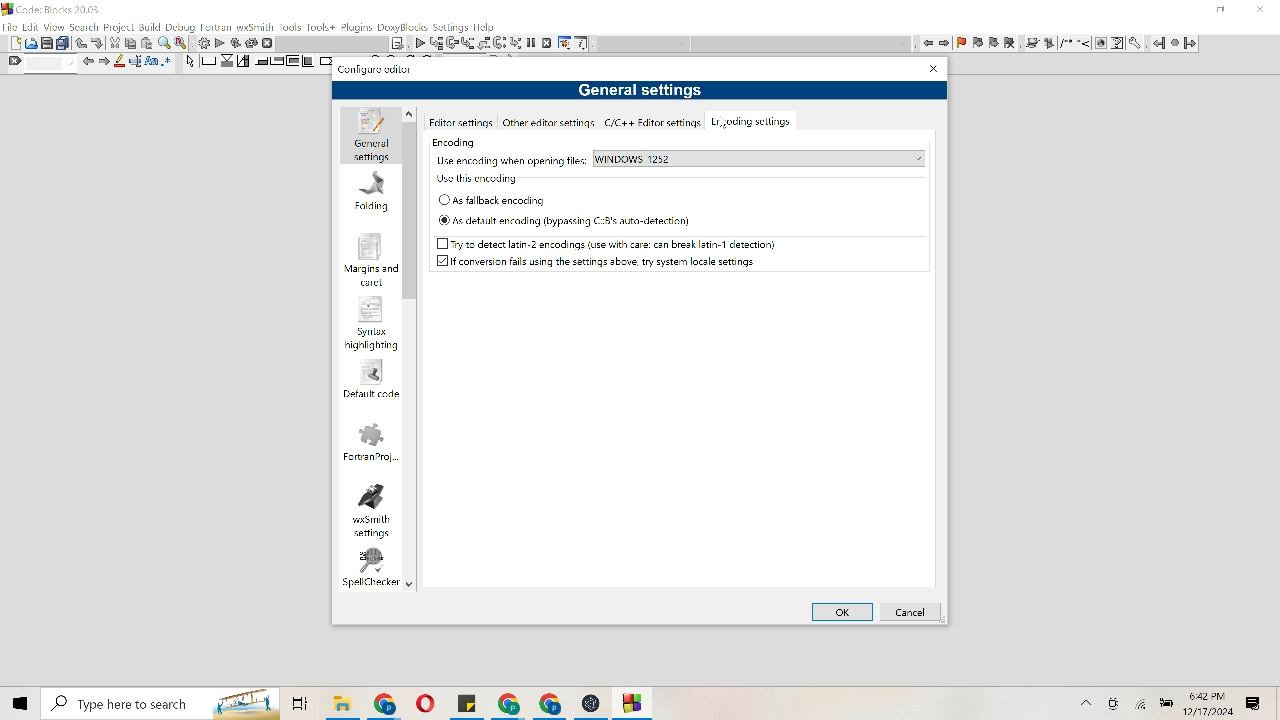  What do you see at coordinates (986, 43) in the screenshot?
I see `flag item` at bounding box center [986, 43].